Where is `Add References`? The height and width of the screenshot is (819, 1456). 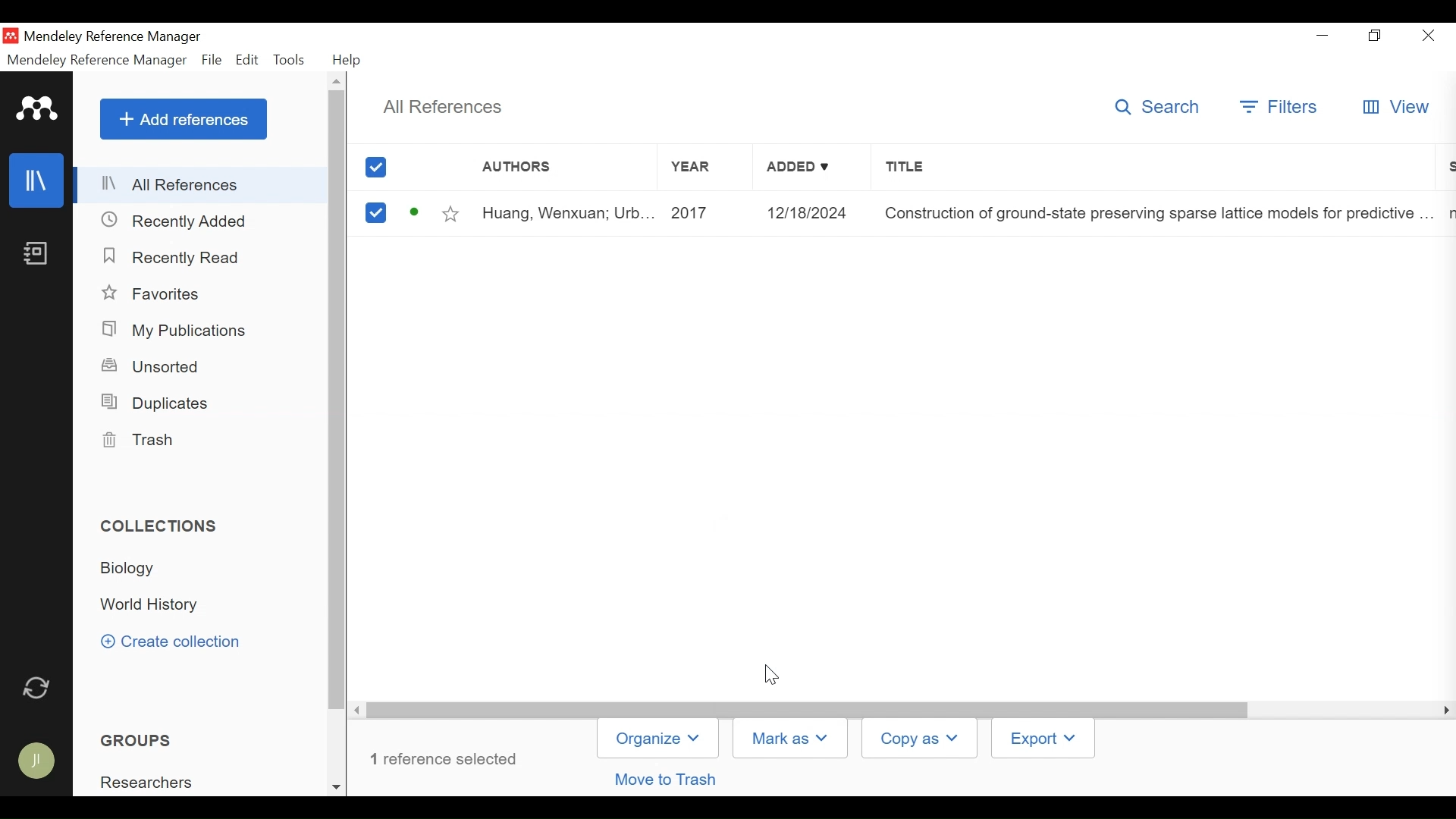 Add References is located at coordinates (184, 119).